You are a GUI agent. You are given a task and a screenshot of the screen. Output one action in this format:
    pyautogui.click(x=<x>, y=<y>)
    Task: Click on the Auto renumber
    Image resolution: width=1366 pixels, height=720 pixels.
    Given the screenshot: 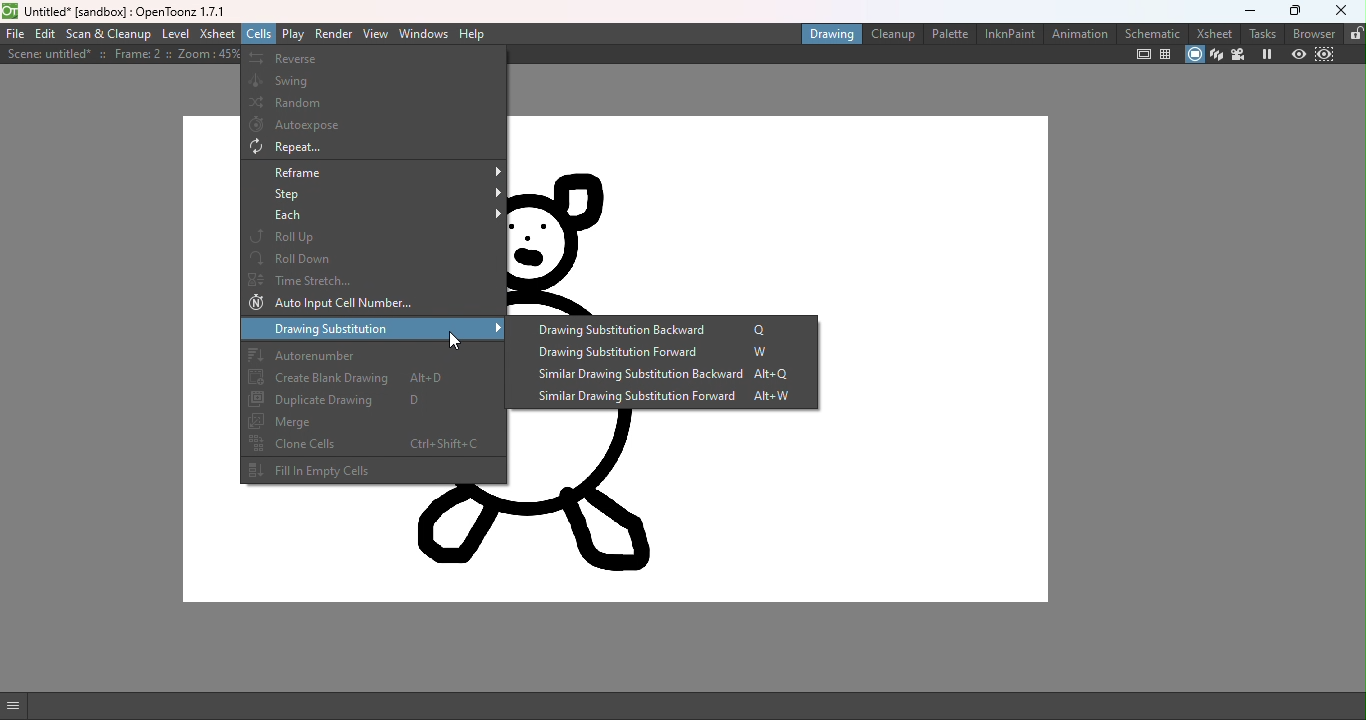 What is the action you would take?
    pyautogui.click(x=371, y=354)
    